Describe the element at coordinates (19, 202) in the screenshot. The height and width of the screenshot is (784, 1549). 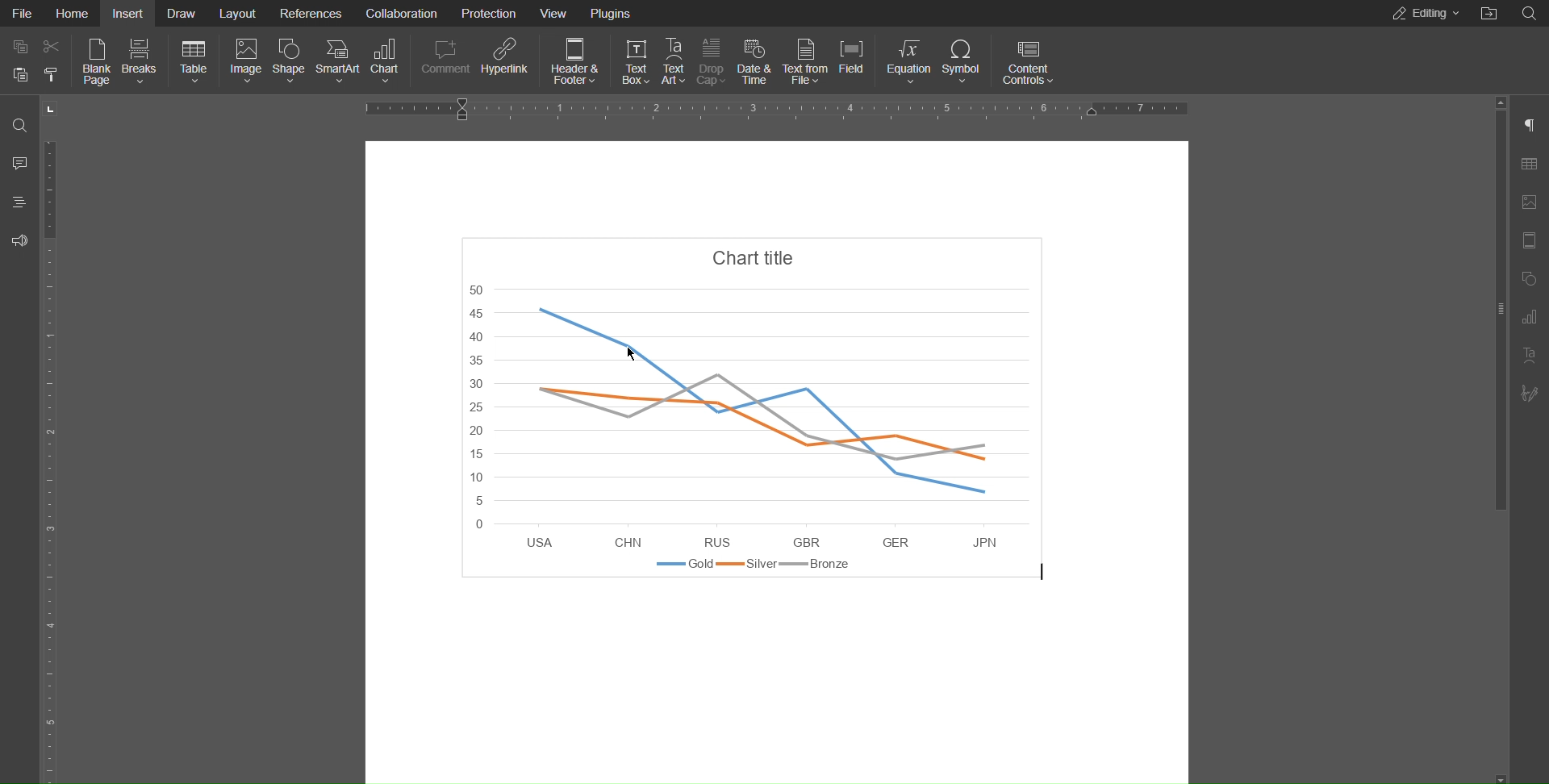
I see `Headings` at that location.